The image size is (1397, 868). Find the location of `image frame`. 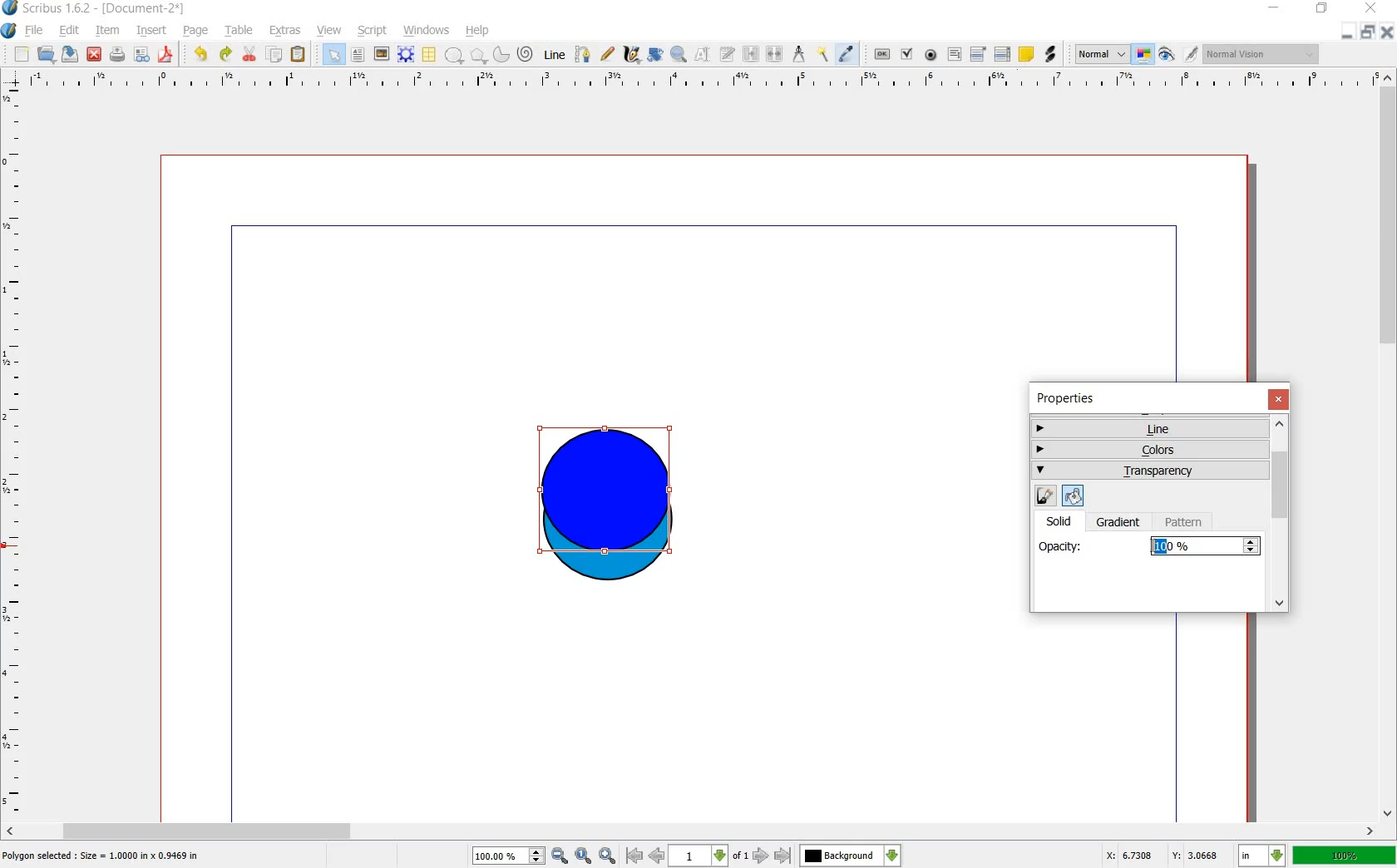

image frame is located at coordinates (381, 54).